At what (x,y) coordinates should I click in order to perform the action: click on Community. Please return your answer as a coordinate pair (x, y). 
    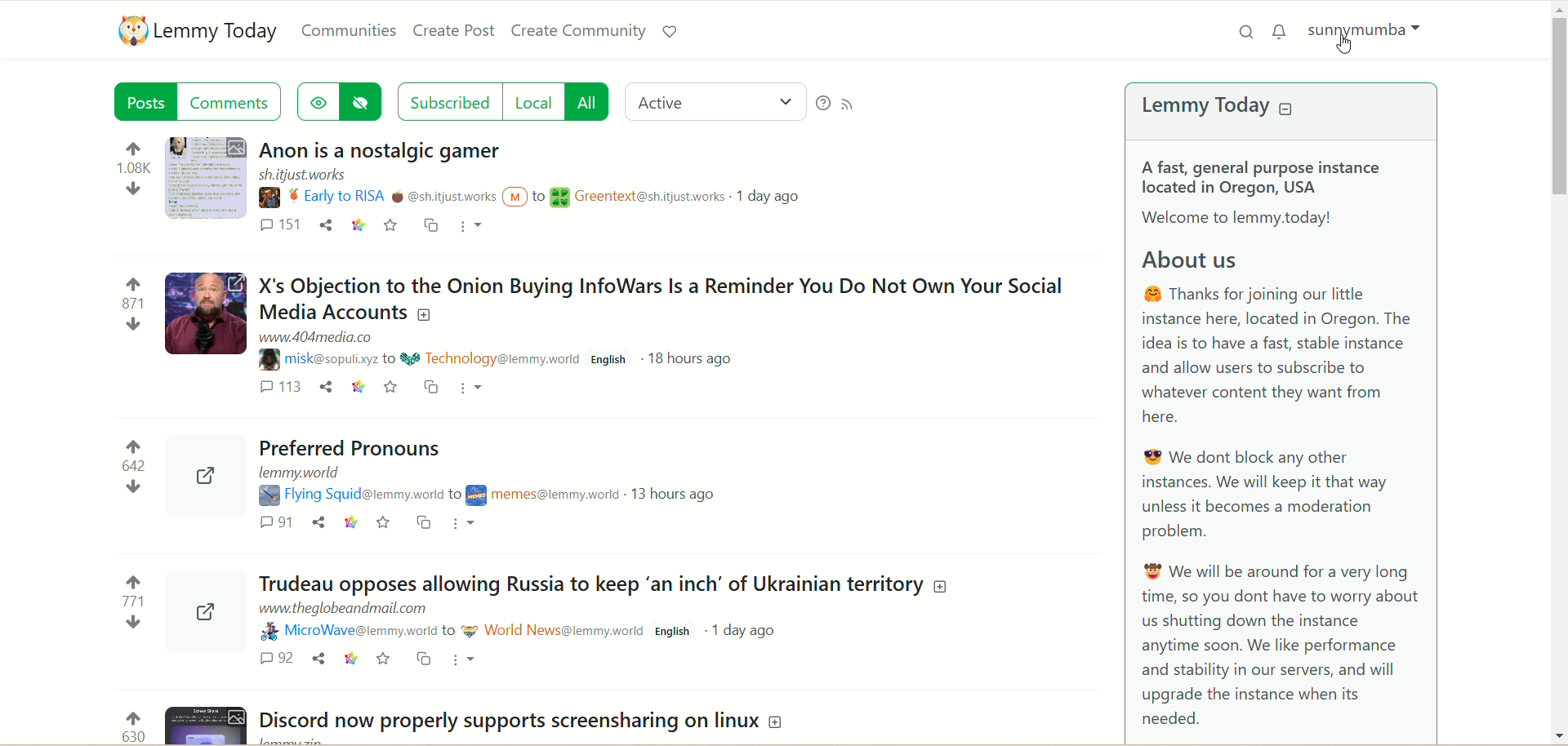
    Looking at the image, I should click on (544, 494).